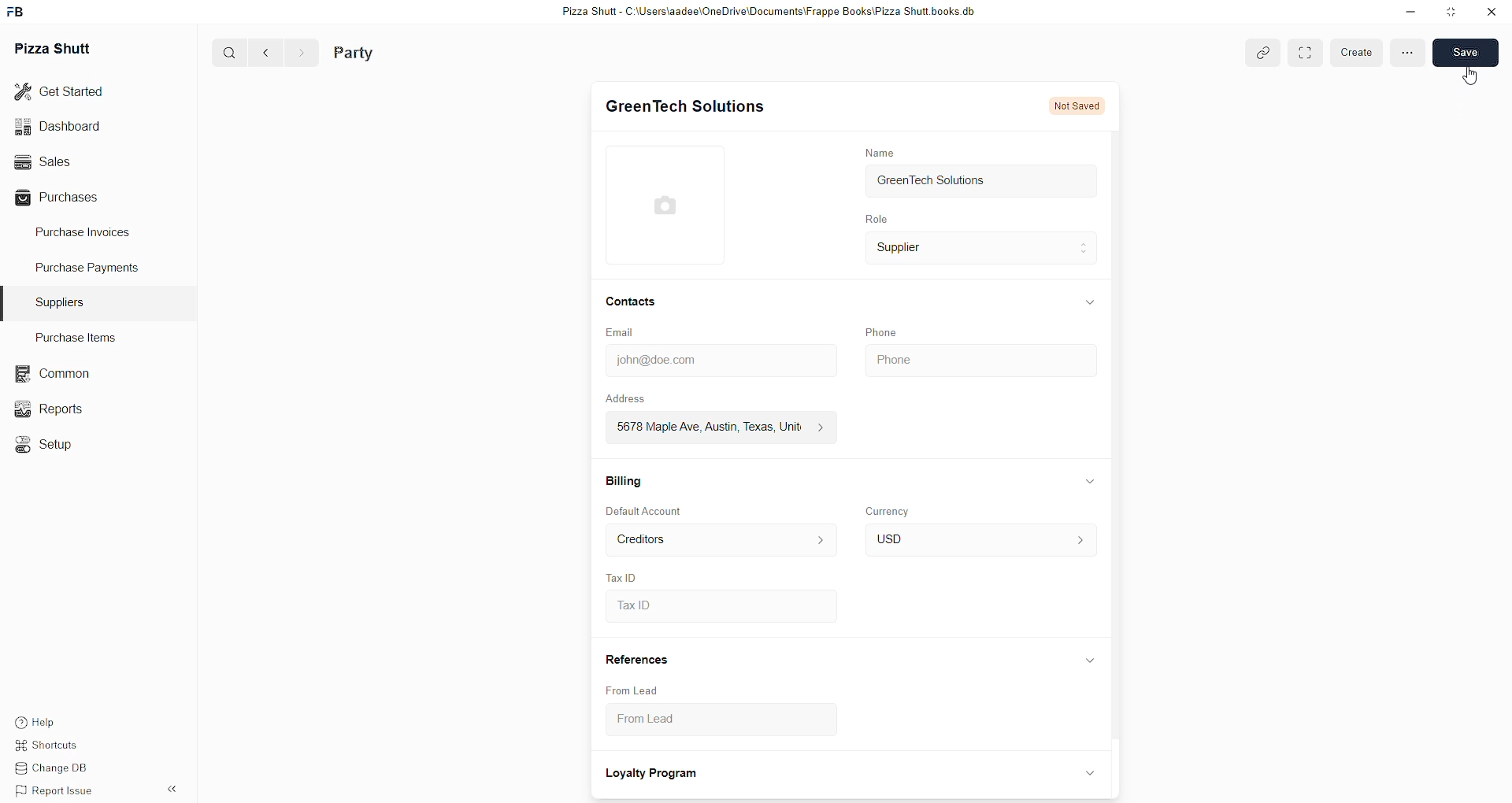 The image size is (1512, 803). What do you see at coordinates (76, 161) in the screenshot?
I see `Sales` at bounding box center [76, 161].